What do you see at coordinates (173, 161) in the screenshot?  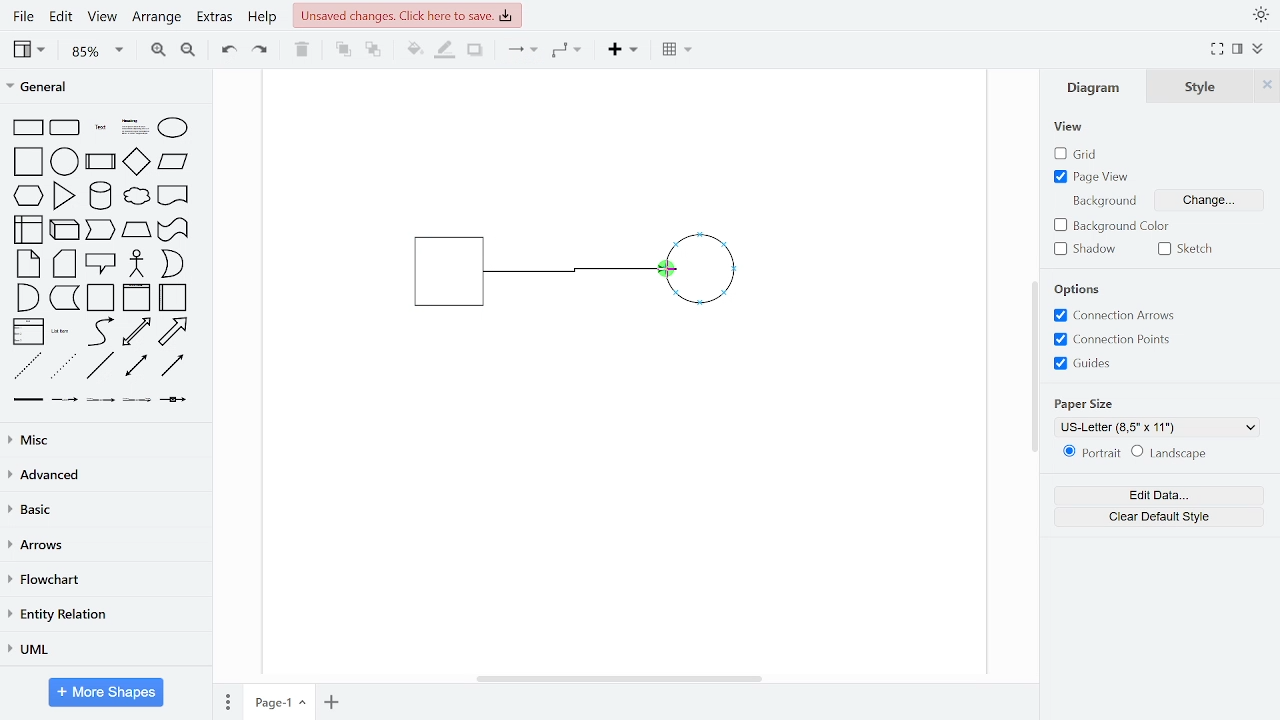 I see `paralellogram` at bounding box center [173, 161].